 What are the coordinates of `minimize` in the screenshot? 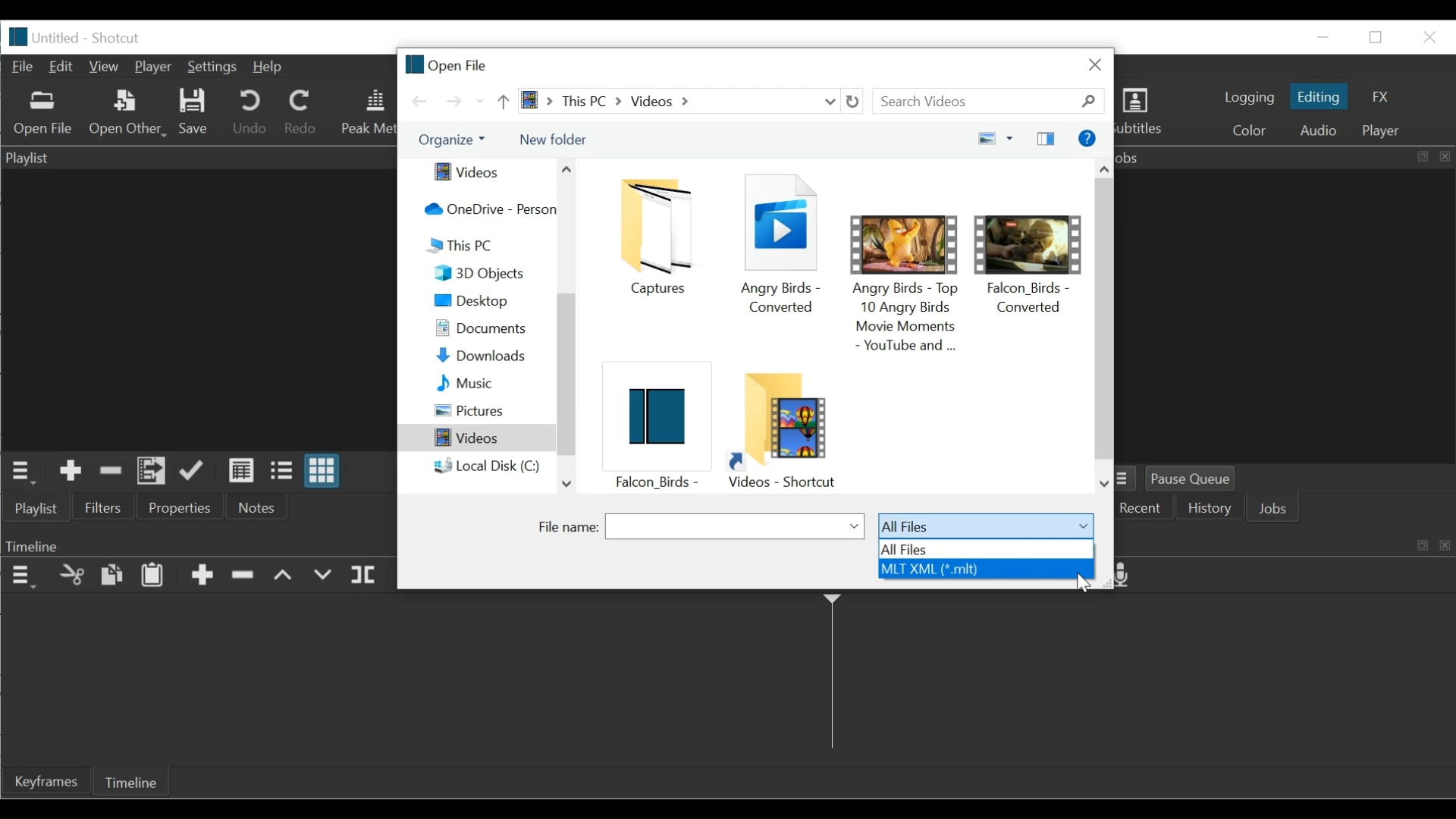 It's located at (1322, 37).